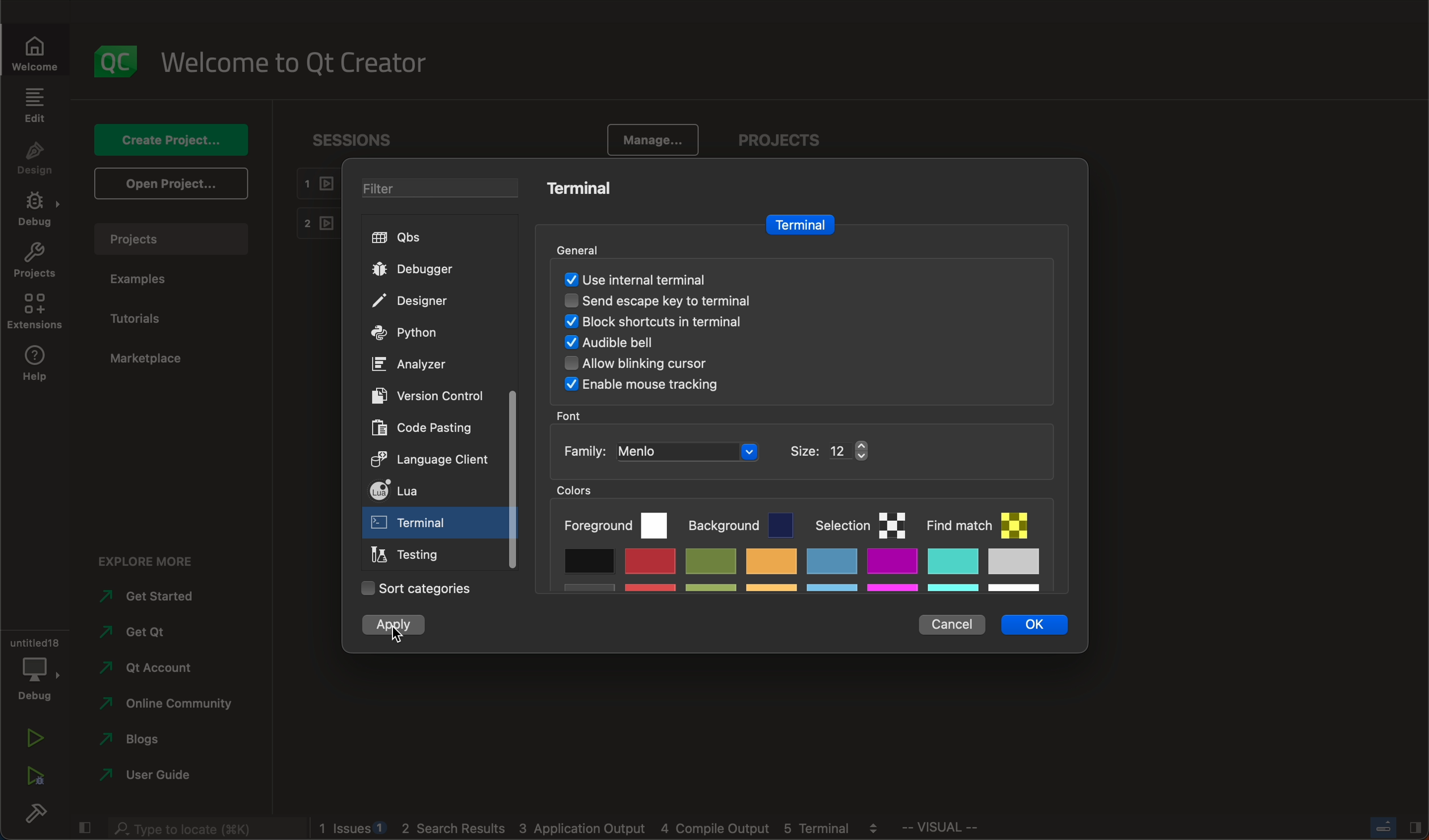 This screenshot has height=840, width=1429. Describe the element at coordinates (655, 365) in the screenshot. I see `` at that location.